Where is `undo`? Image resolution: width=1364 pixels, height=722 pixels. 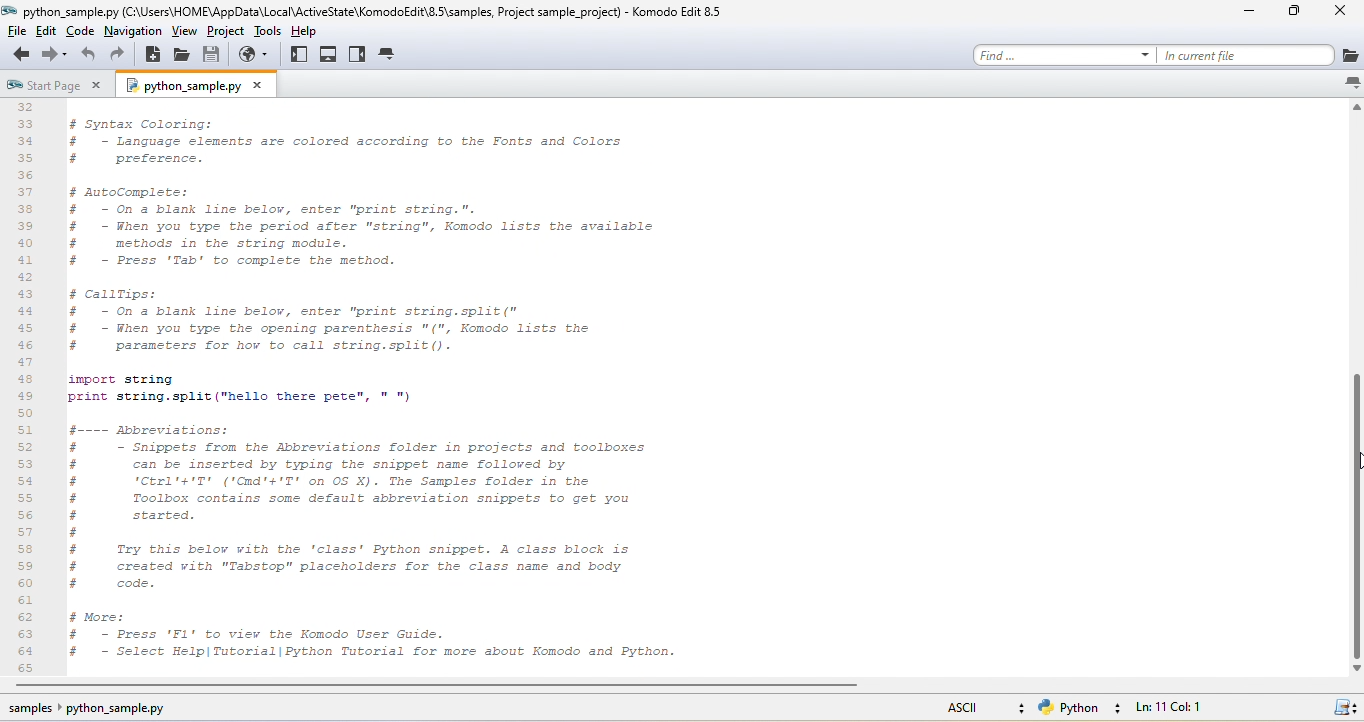 undo is located at coordinates (90, 57).